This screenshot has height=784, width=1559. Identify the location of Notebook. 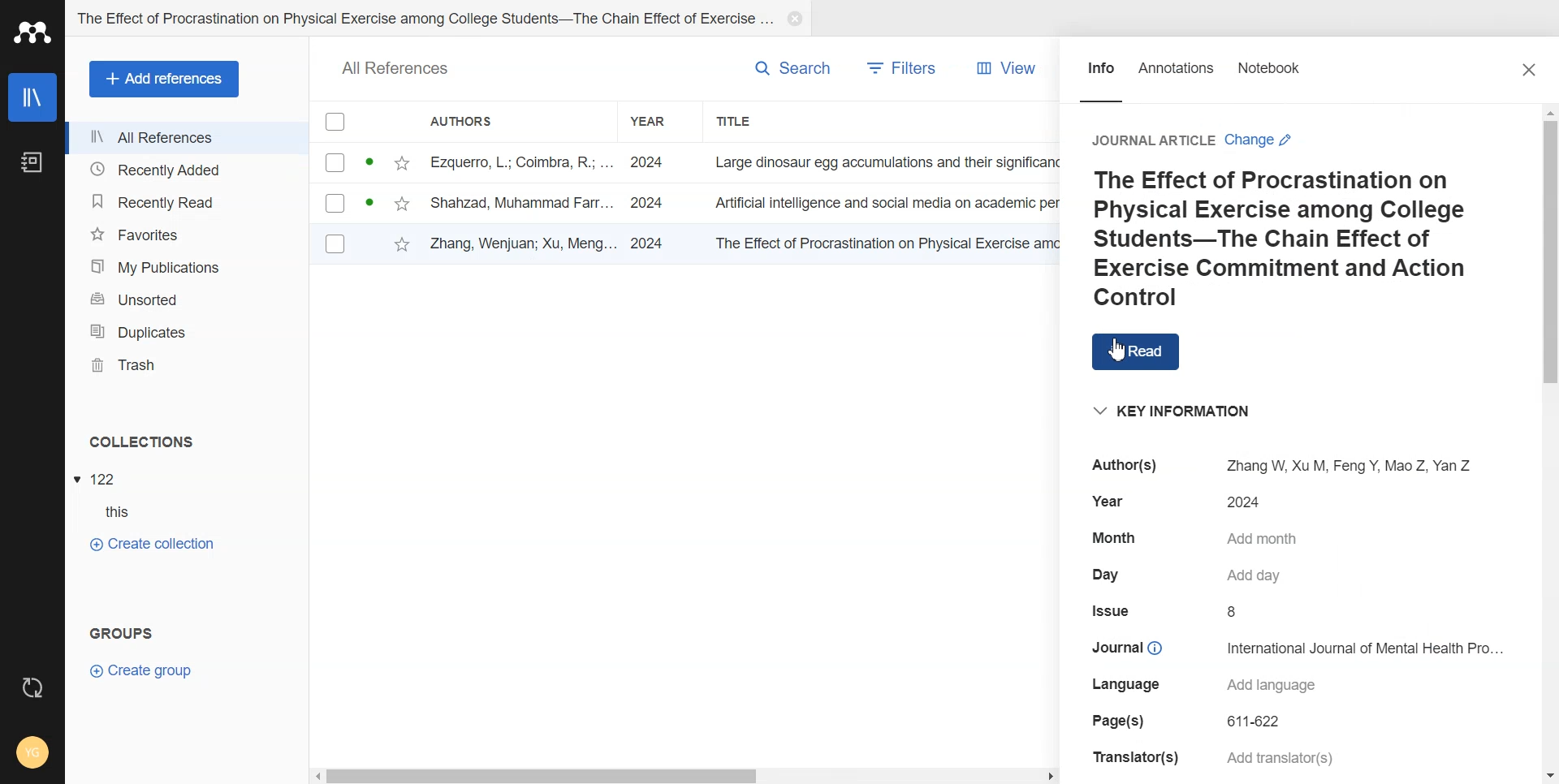
(1272, 71).